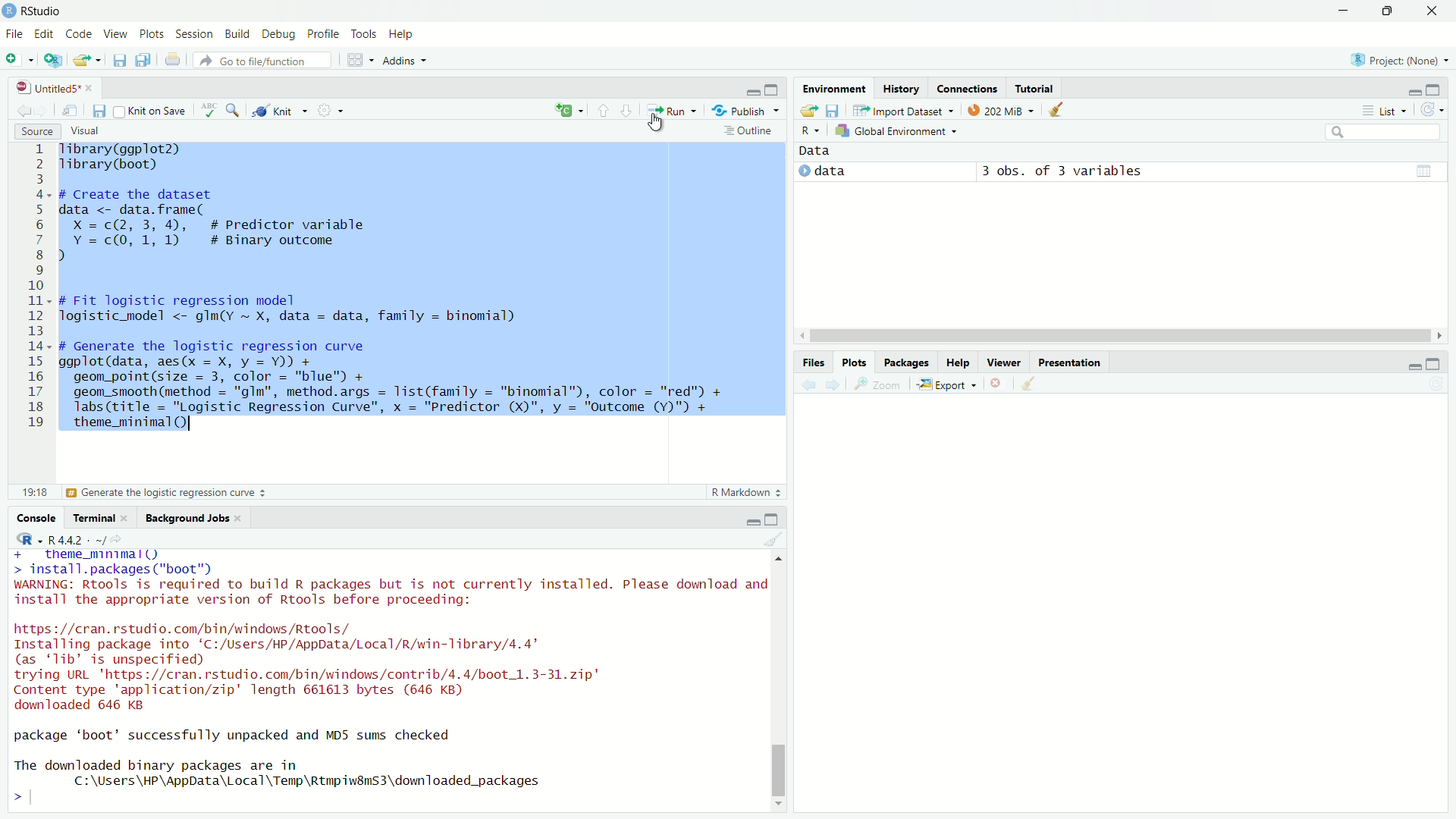 This screenshot has height=819, width=1456. I want to click on R, so click(810, 131).